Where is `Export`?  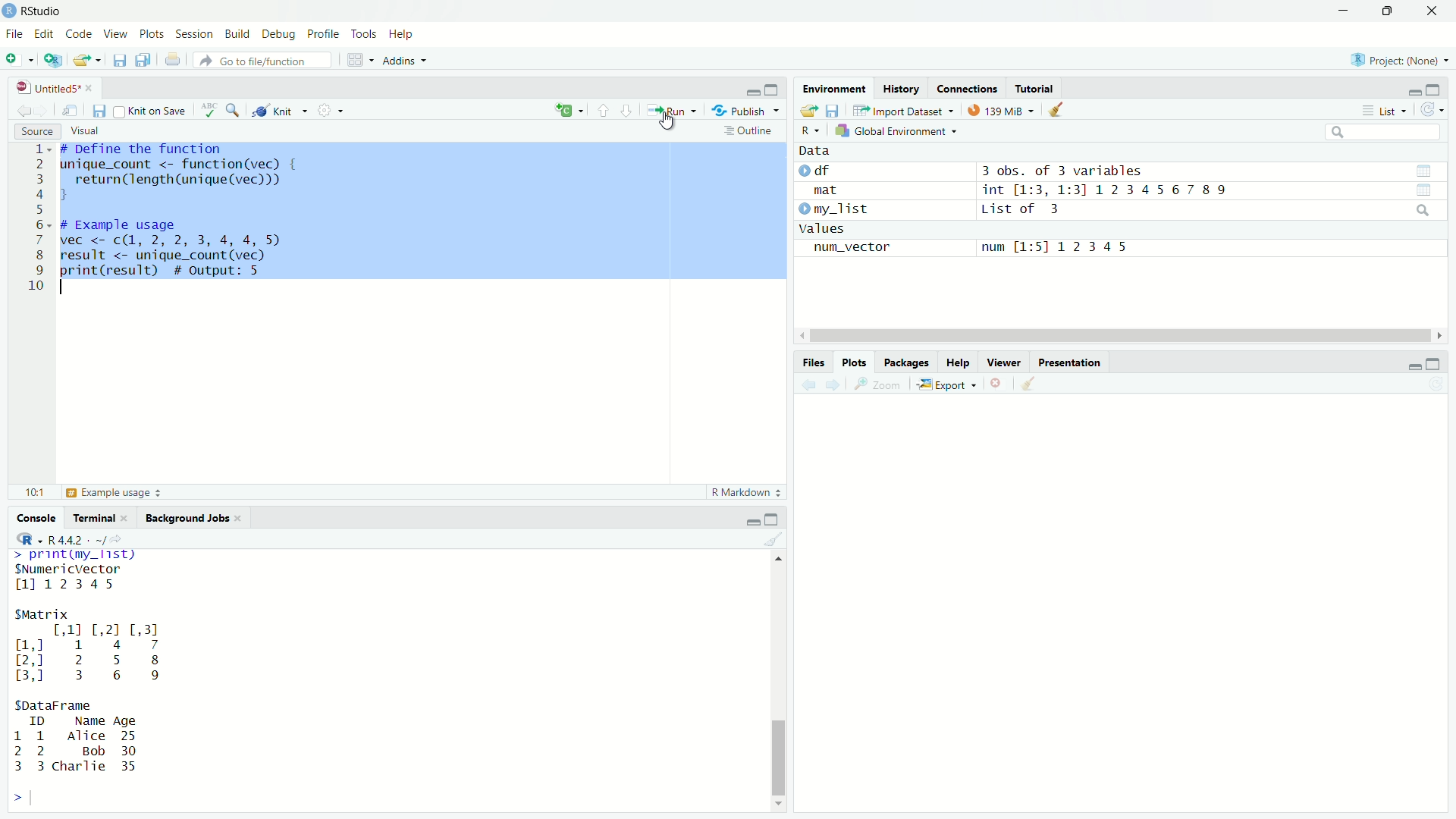
Export is located at coordinates (946, 385).